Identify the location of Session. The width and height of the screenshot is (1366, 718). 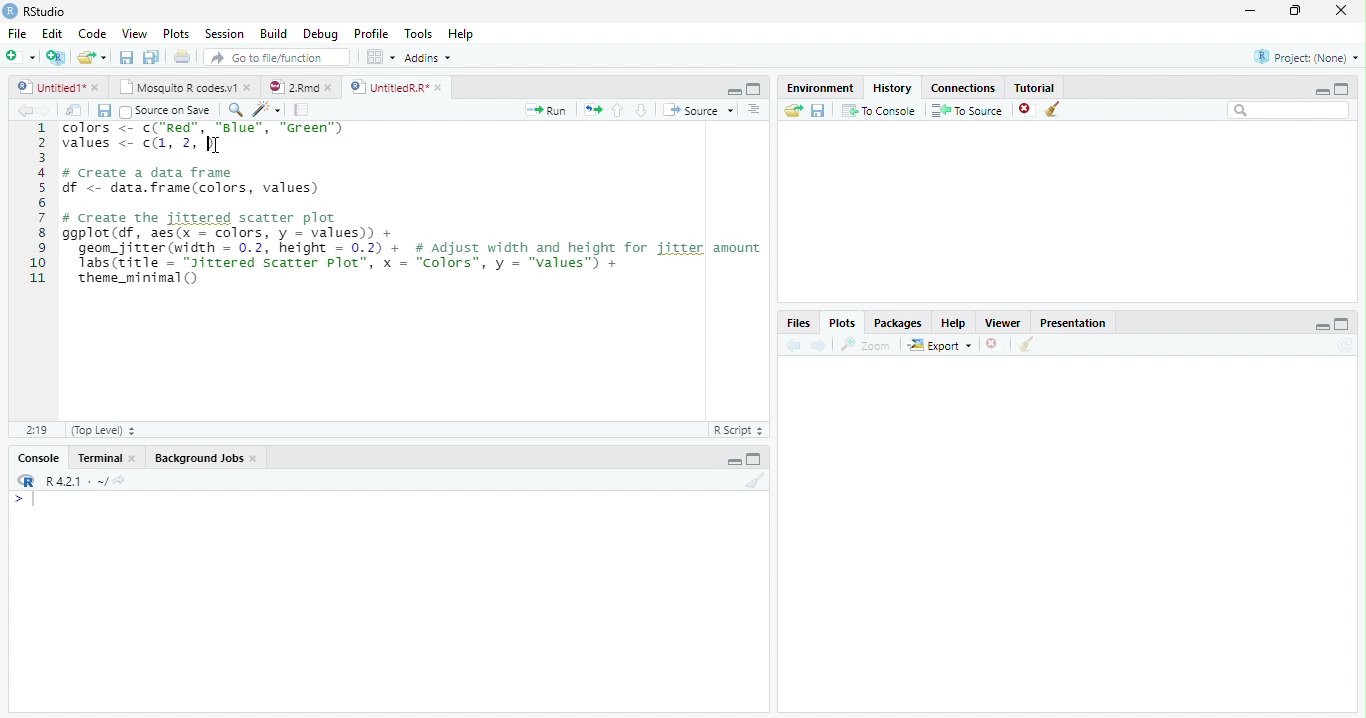
(224, 33).